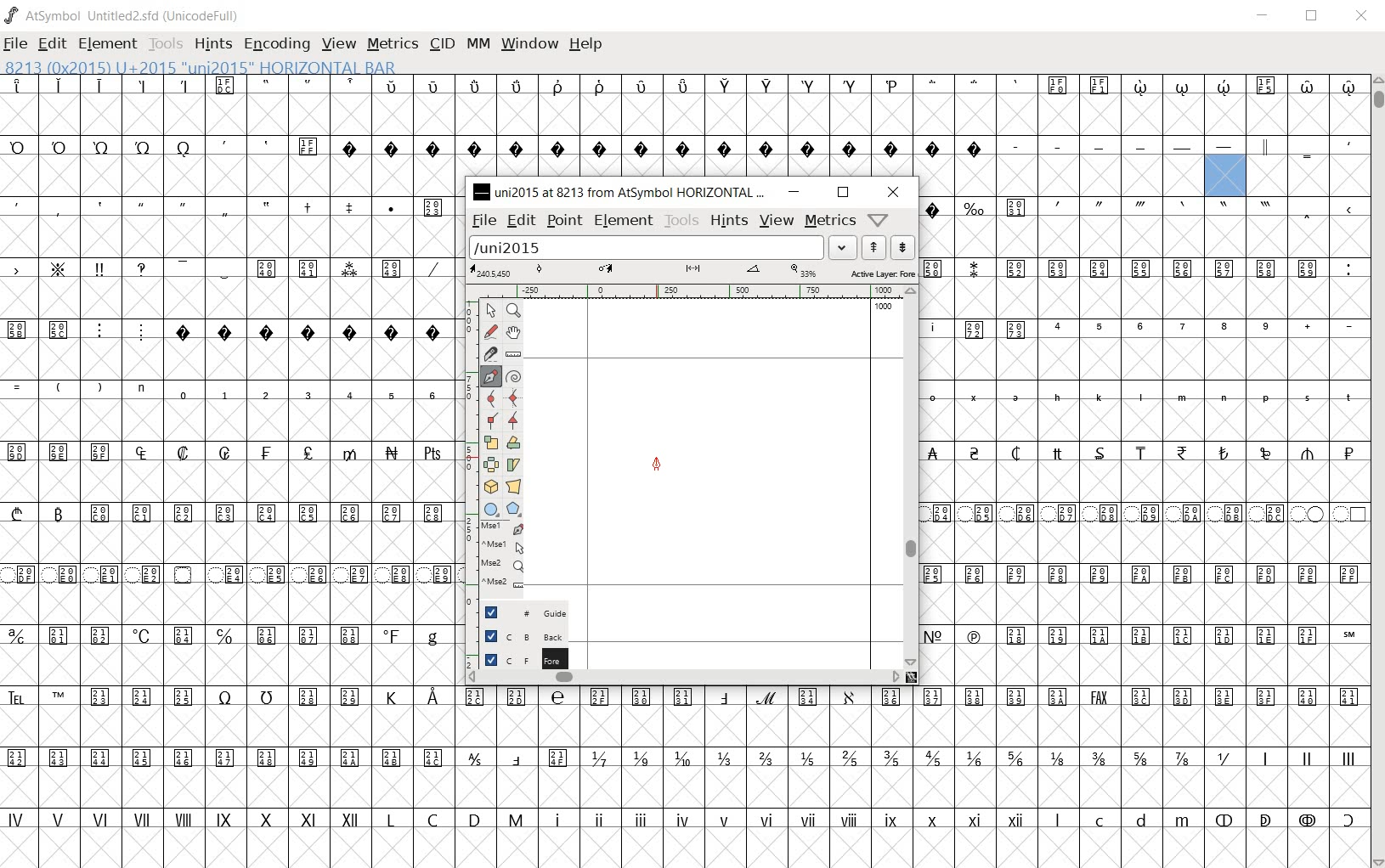  What do you see at coordinates (877, 220) in the screenshot?
I see `help/window` at bounding box center [877, 220].